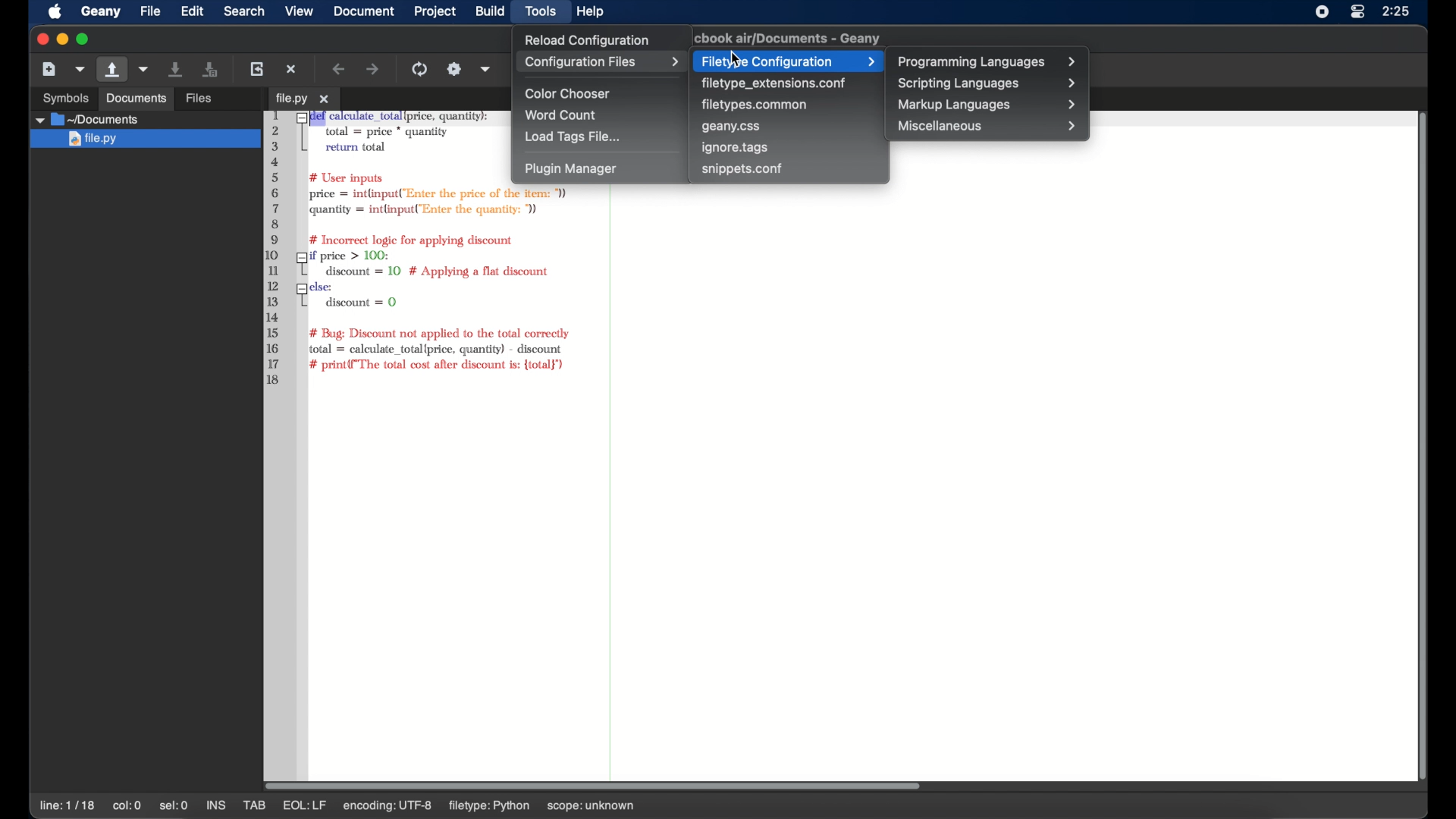 The width and height of the screenshot is (1456, 819). What do you see at coordinates (145, 70) in the screenshot?
I see `open recent file` at bounding box center [145, 70].